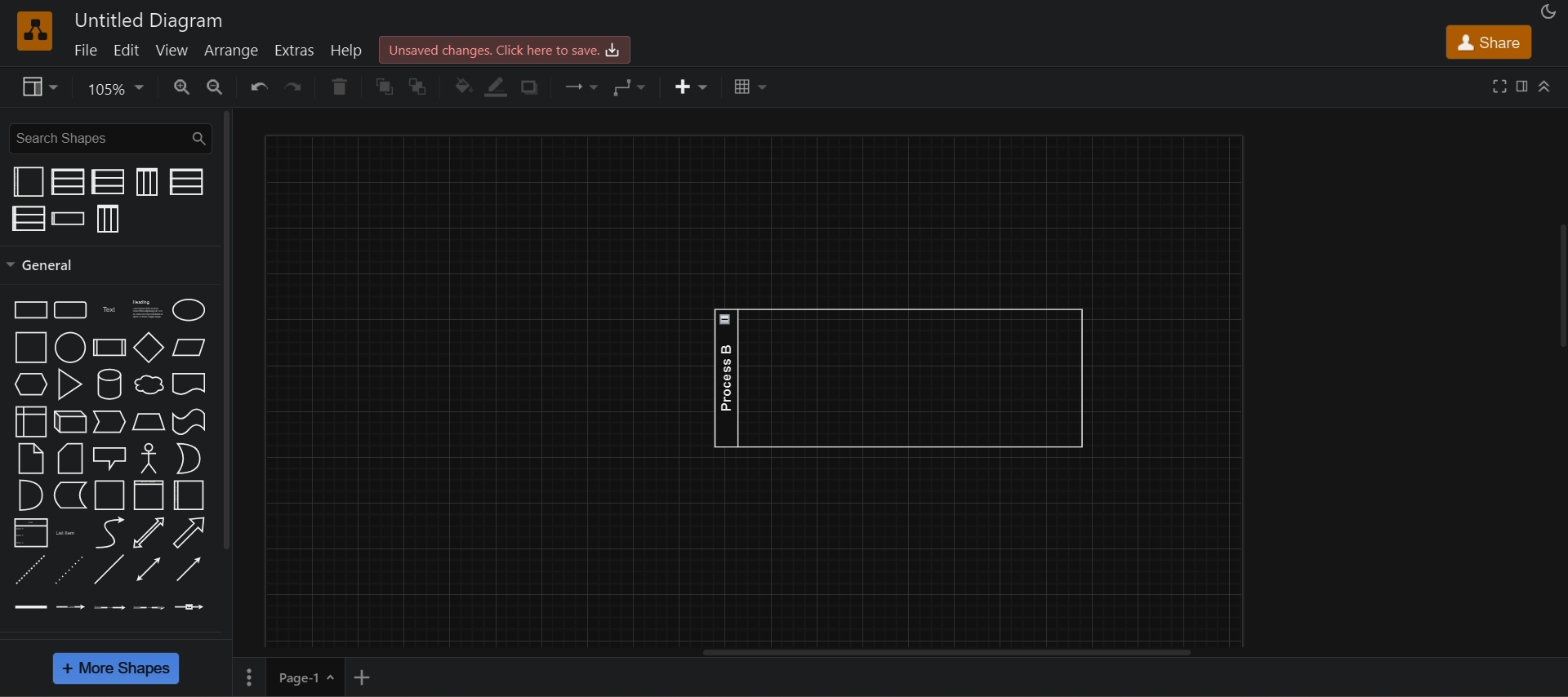 This screenshot has height=697, width=1568. Describe the element at coordinates (68, 233) in the screenshot. I see `click` at that location.